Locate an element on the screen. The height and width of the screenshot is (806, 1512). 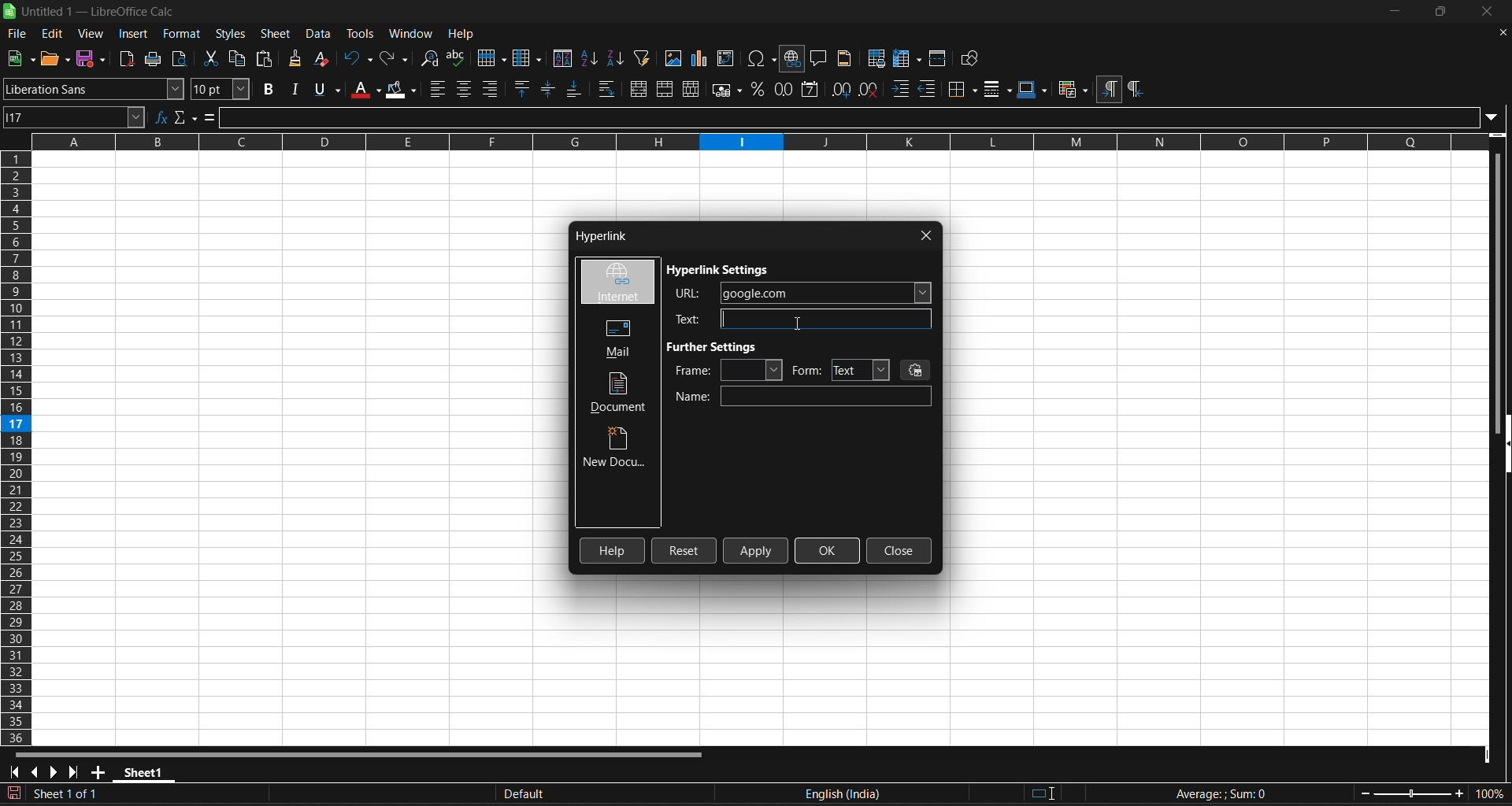
function wizard is located at coordinates (162, 117).